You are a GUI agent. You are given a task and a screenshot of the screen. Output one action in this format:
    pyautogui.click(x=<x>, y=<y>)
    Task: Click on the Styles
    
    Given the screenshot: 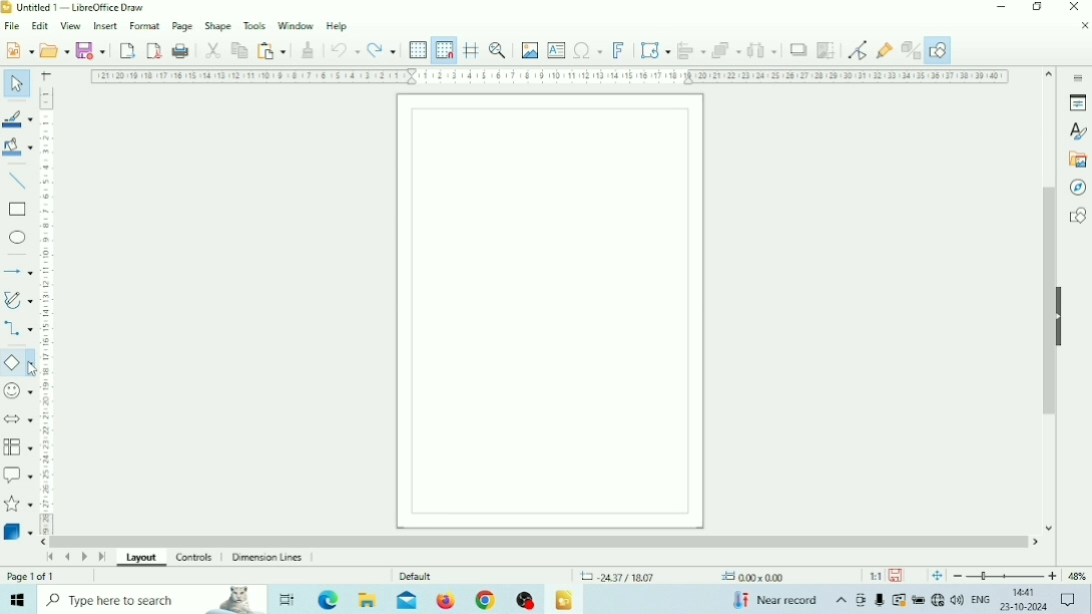 What is the action you would take?
    pyautogui.click(x=1077, y=132)
    